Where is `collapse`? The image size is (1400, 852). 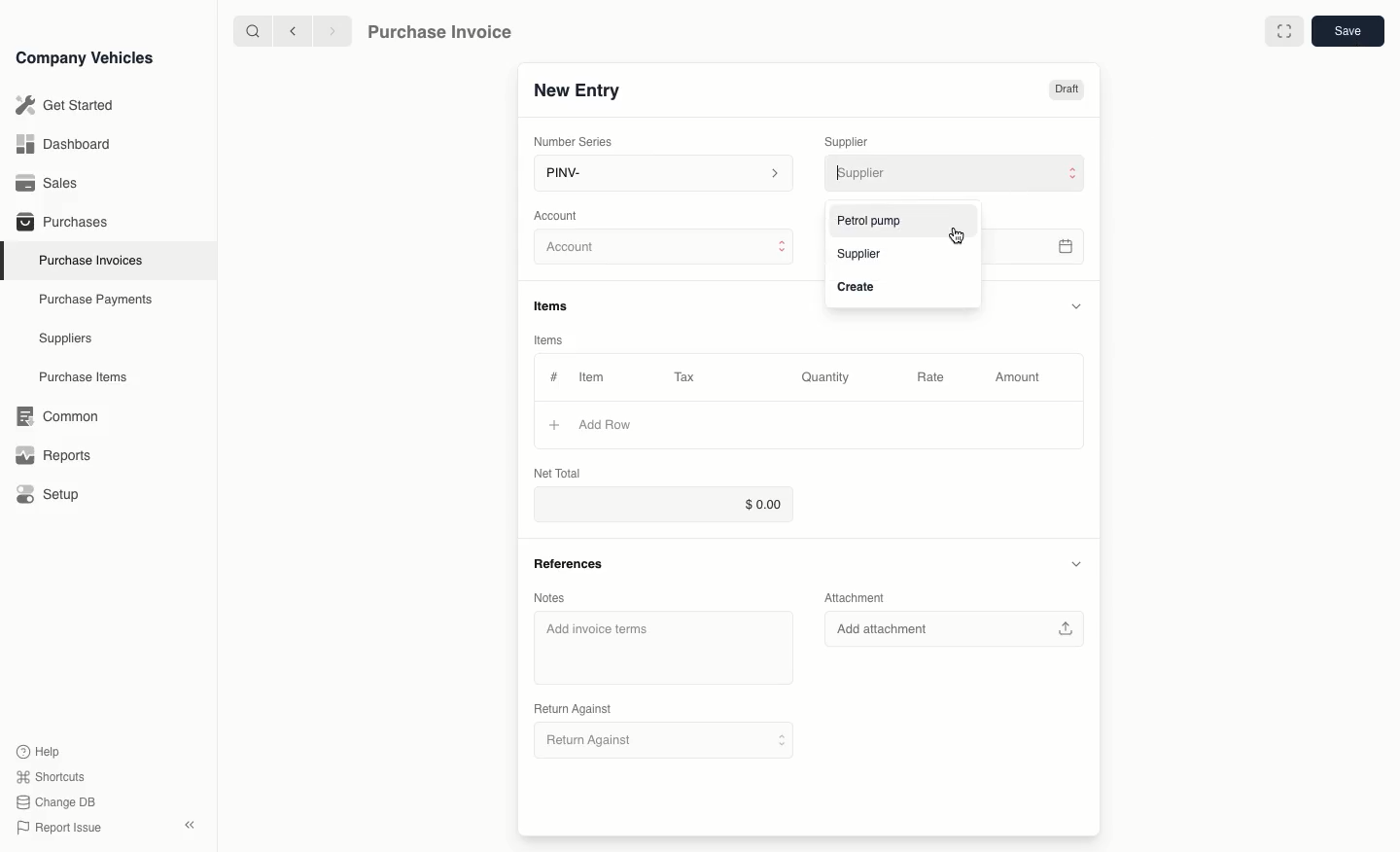 collapse is located at coordinates (1075, 564).